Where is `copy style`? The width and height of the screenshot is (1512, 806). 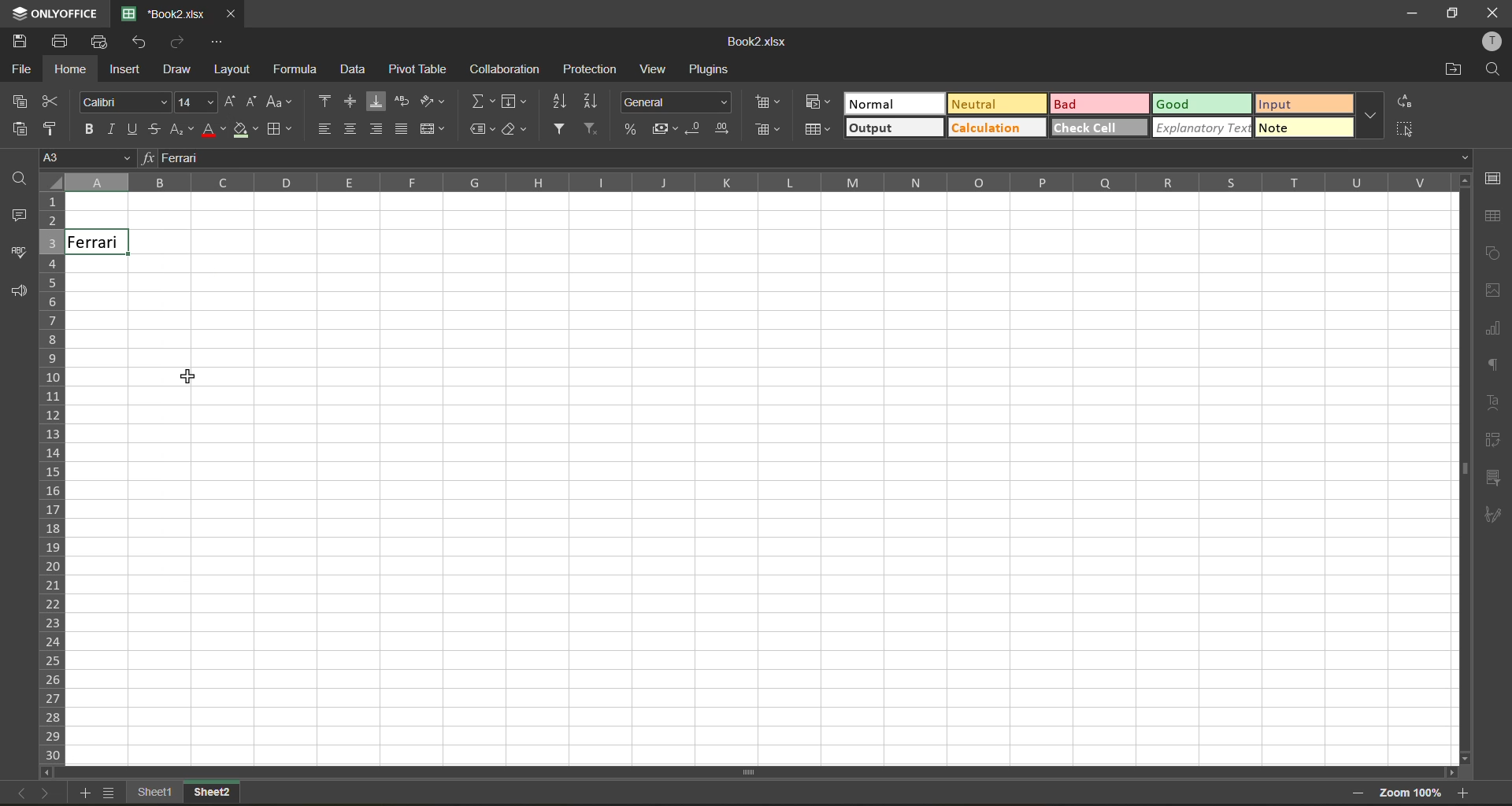 copy style is located at coordinates (54, 128).